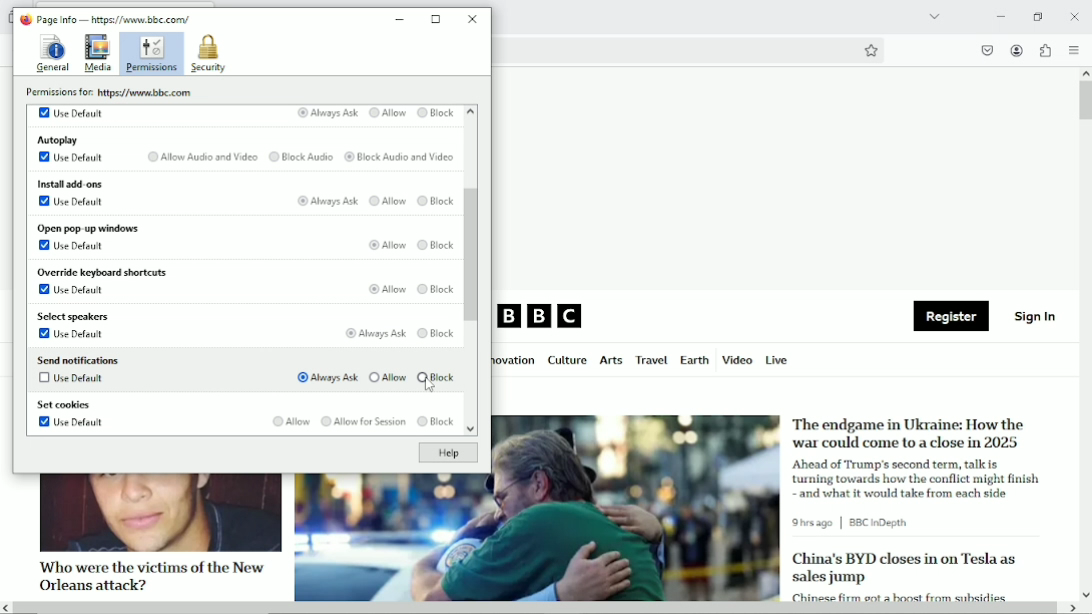 The width and height of the screenshot is (1092, 614). I want to click on Page Info — https://www.bbe.com/, so click(114, 19).